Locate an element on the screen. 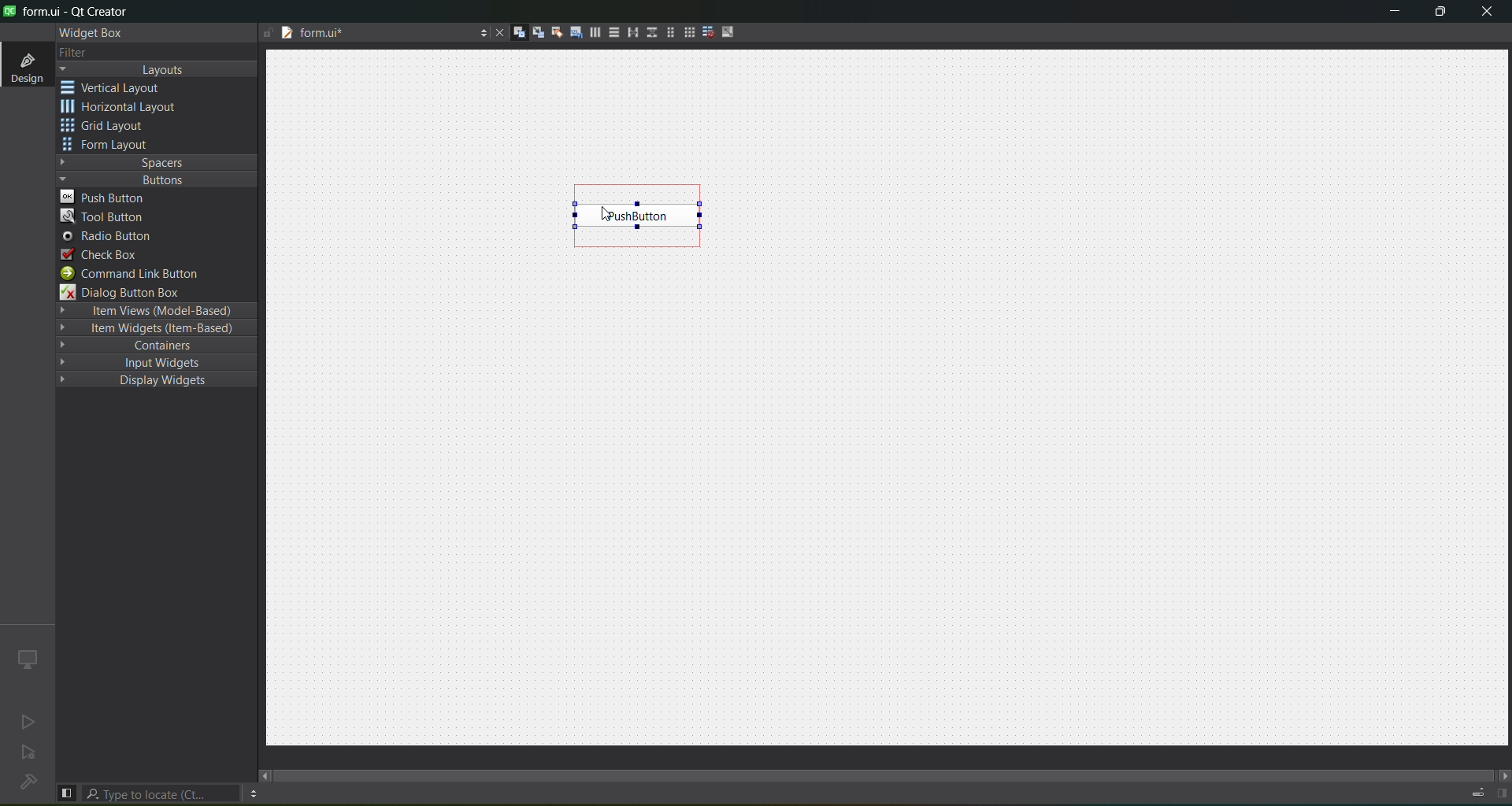 This screenshot has width=1512, height=806. horizontal splitter is located at coordinates (630, 35).